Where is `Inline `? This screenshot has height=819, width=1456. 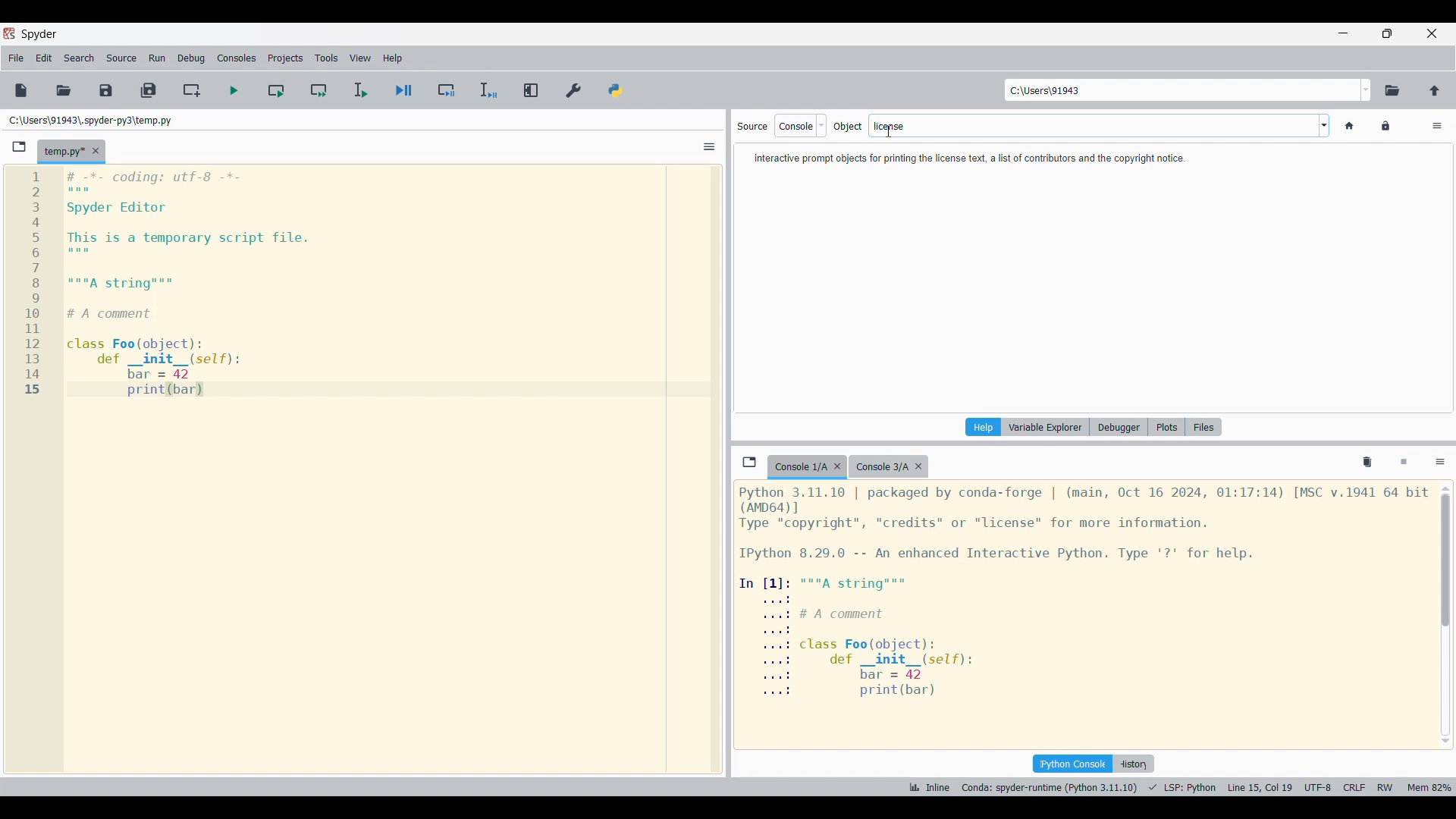
Inline  is located at coordinates (932, 783).